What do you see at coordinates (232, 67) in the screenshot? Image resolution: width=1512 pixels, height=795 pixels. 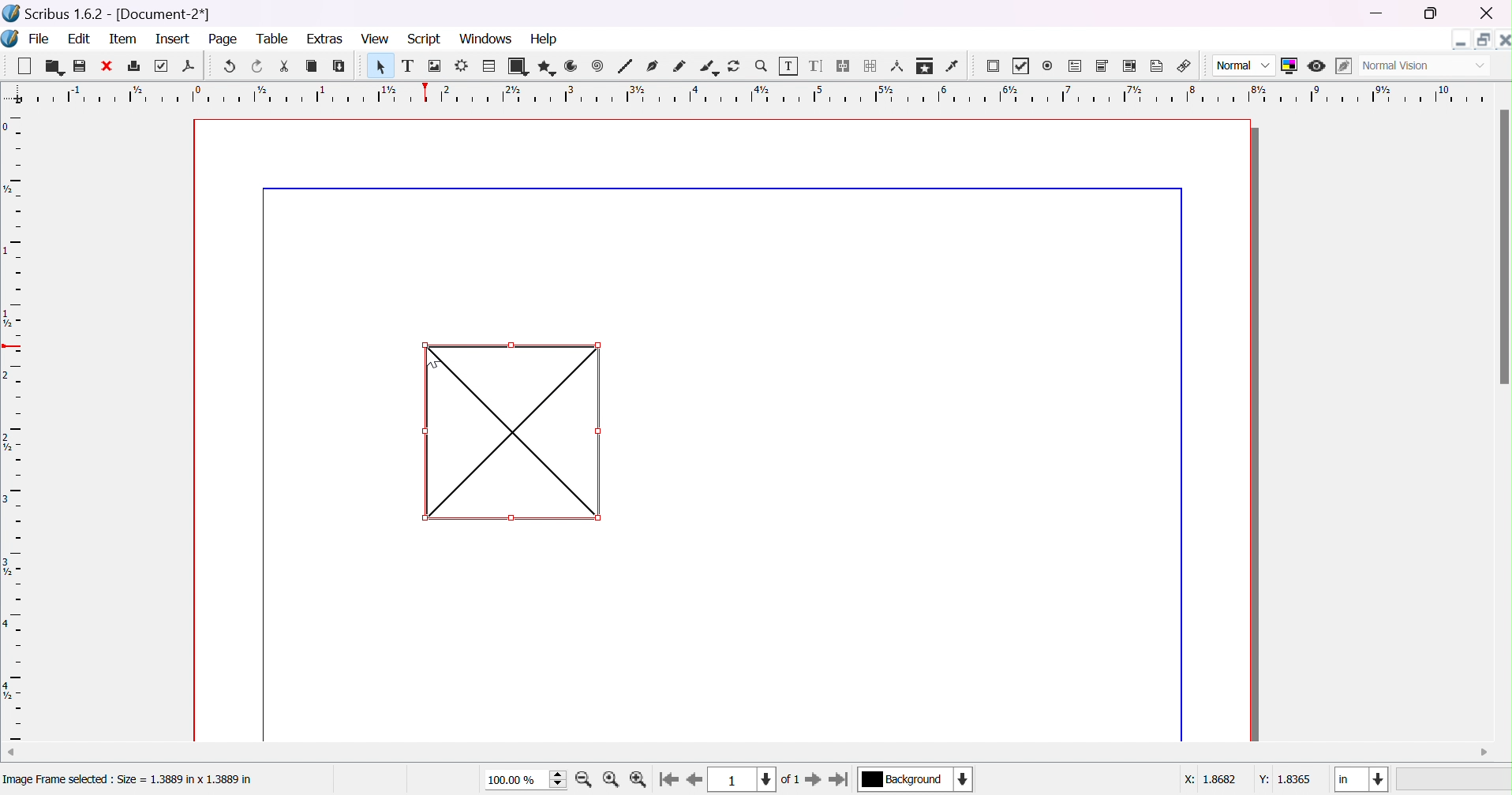 I see `undo` at bounding box center [232, 67].